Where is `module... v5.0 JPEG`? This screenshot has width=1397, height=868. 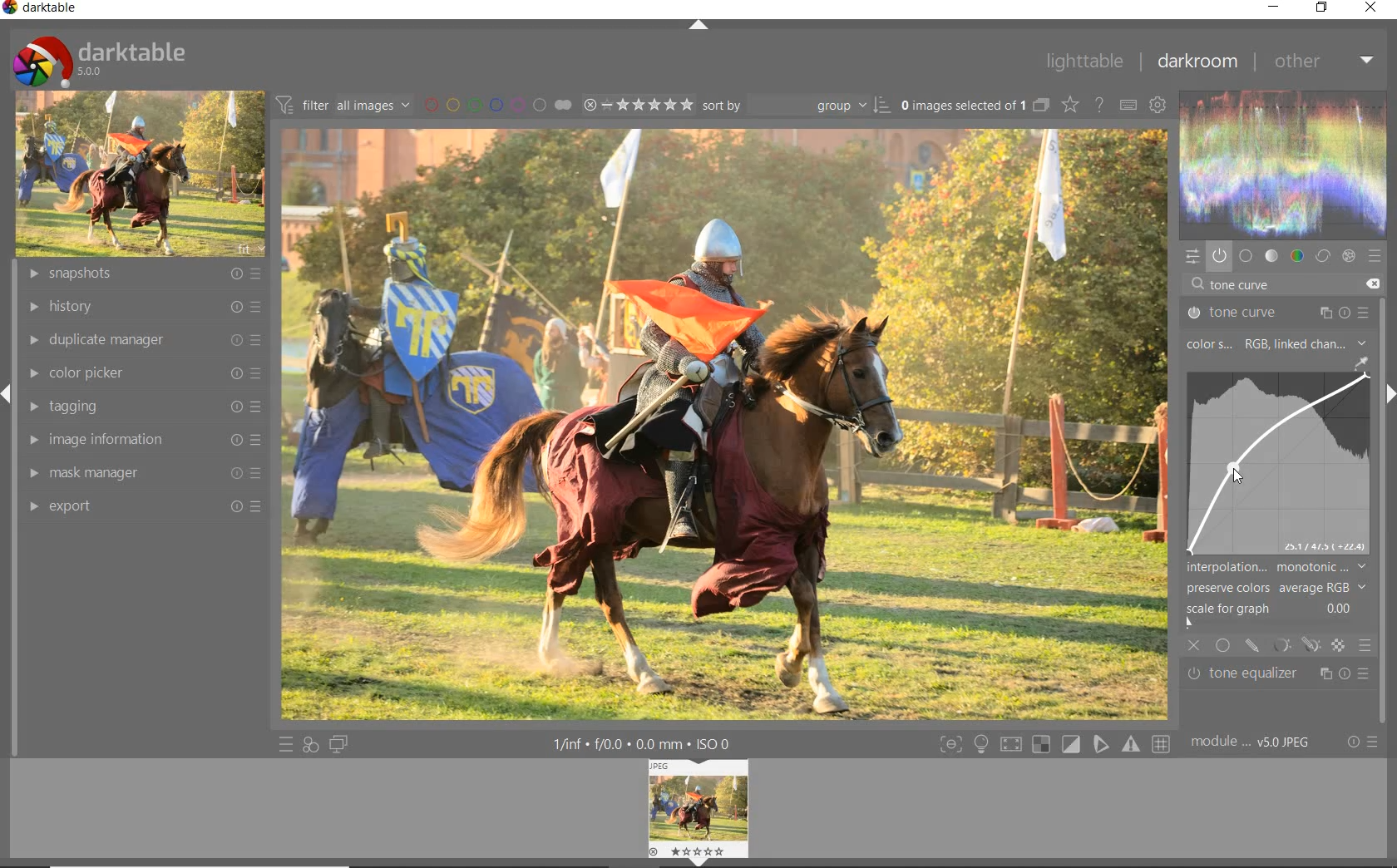
module... v5.0 JPEG is located at coordinates (1255, 742).